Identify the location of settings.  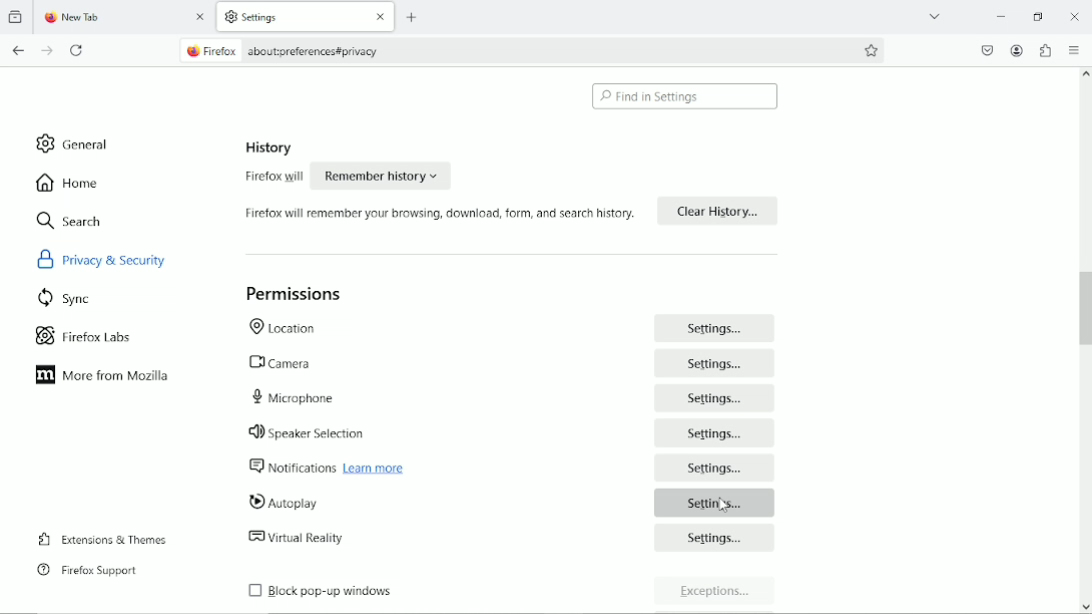
(715, 502).